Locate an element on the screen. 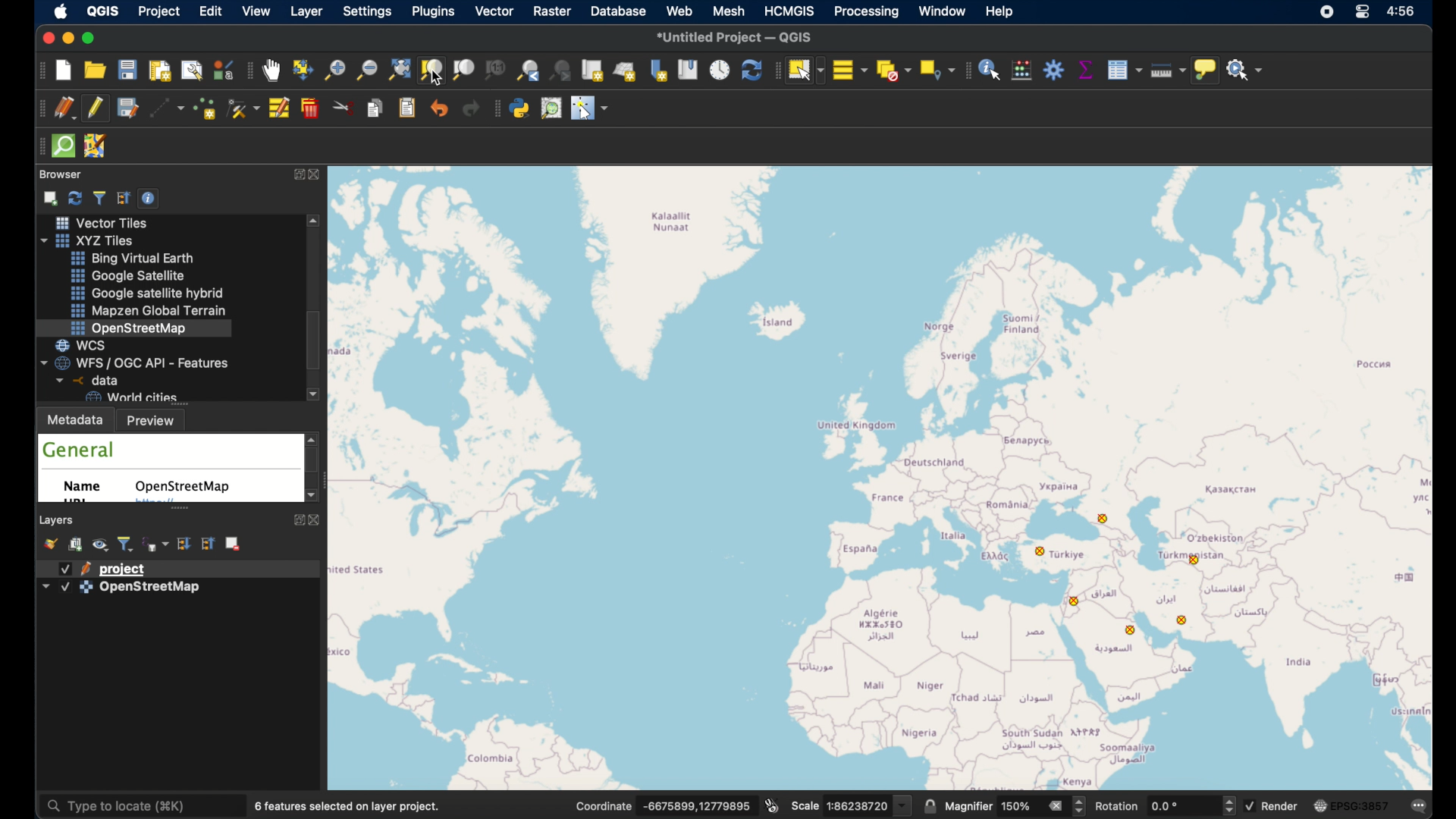  render is located at coordinates (1282, 805).